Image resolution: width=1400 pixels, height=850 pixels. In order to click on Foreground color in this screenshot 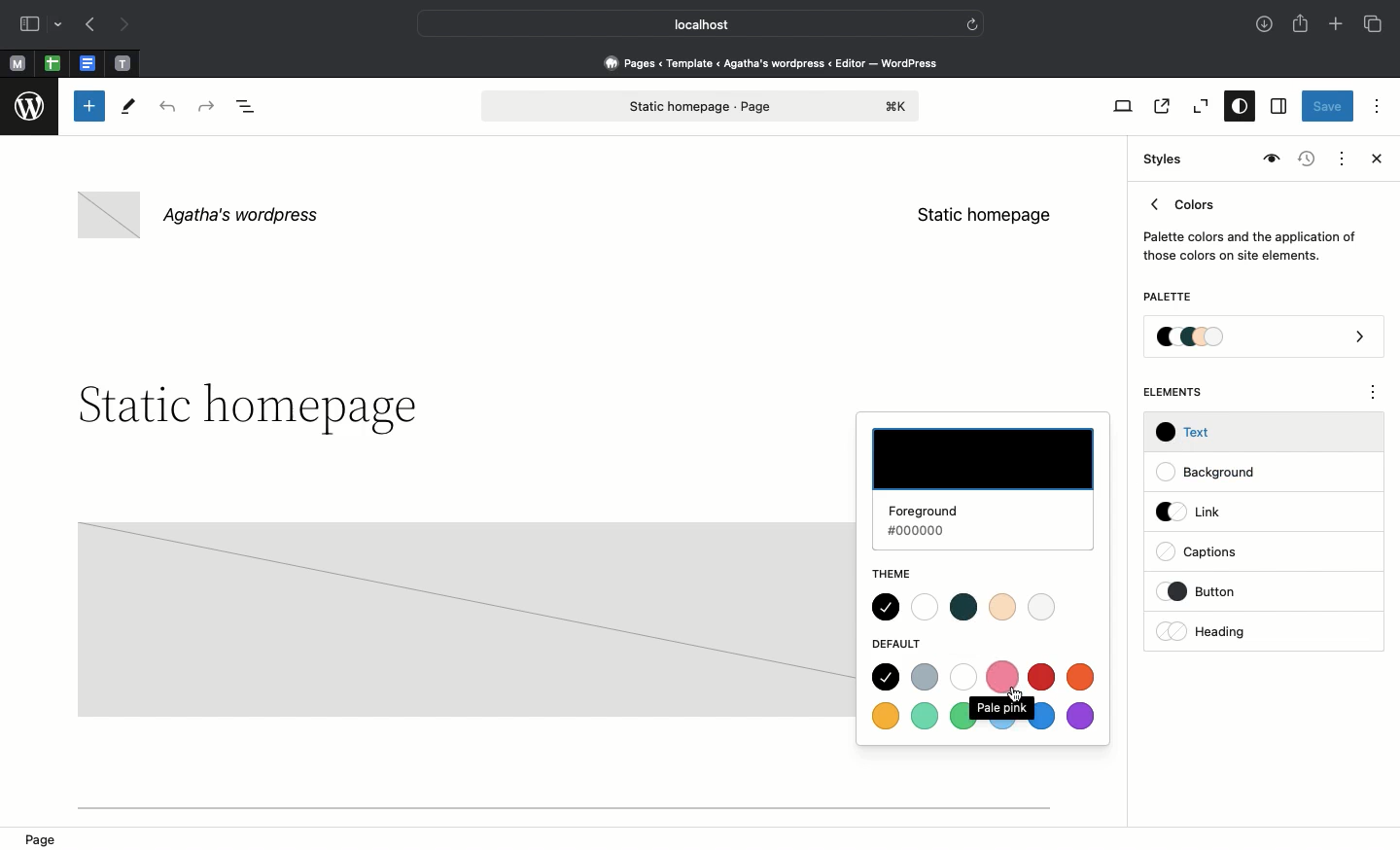, I will do `click(982, 490)`.